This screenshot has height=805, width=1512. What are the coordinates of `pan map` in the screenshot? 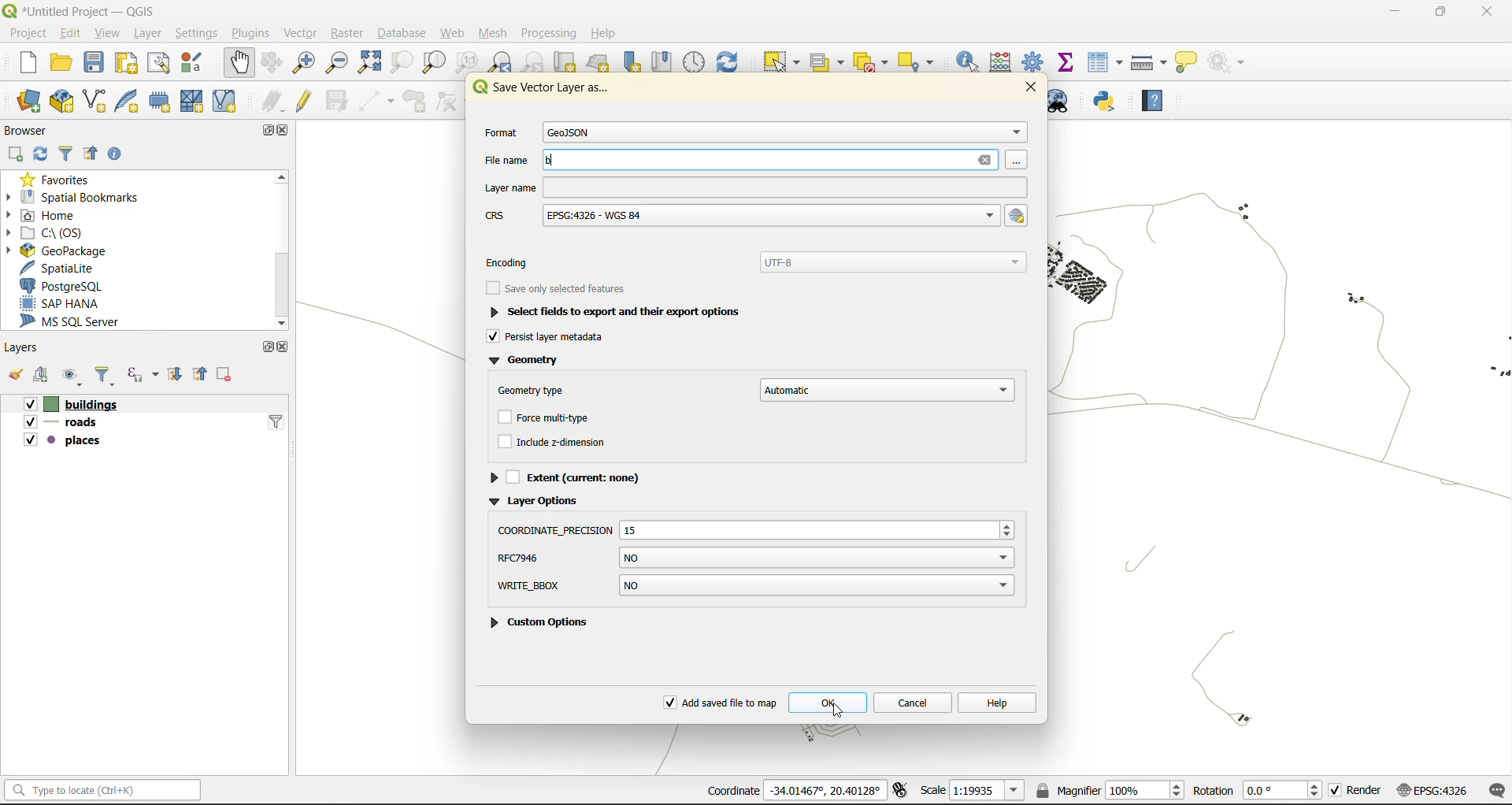 It's located at (239, 65).